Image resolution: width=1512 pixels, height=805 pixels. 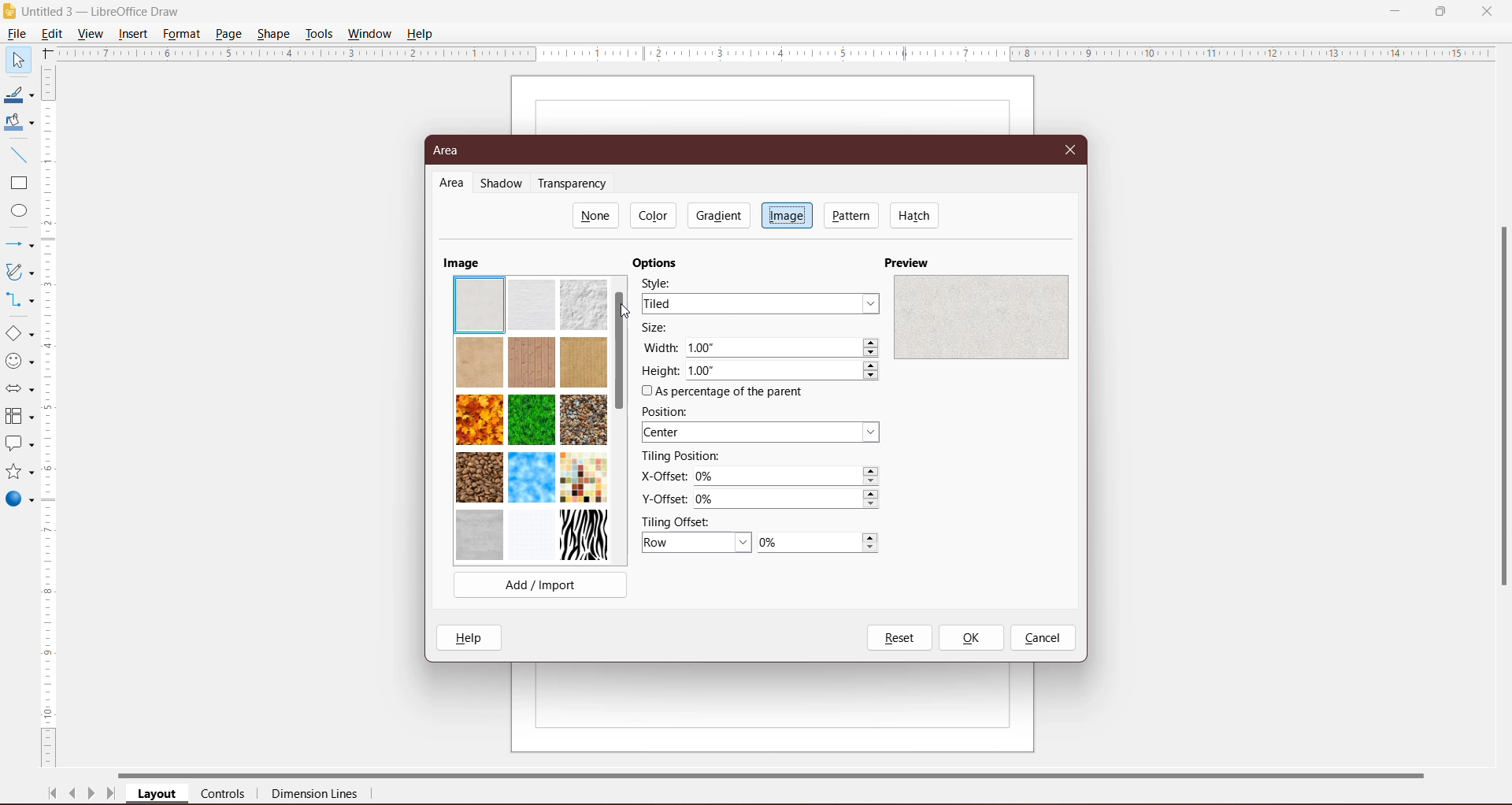 I want to click on Edit, so click(x=55, y=32).